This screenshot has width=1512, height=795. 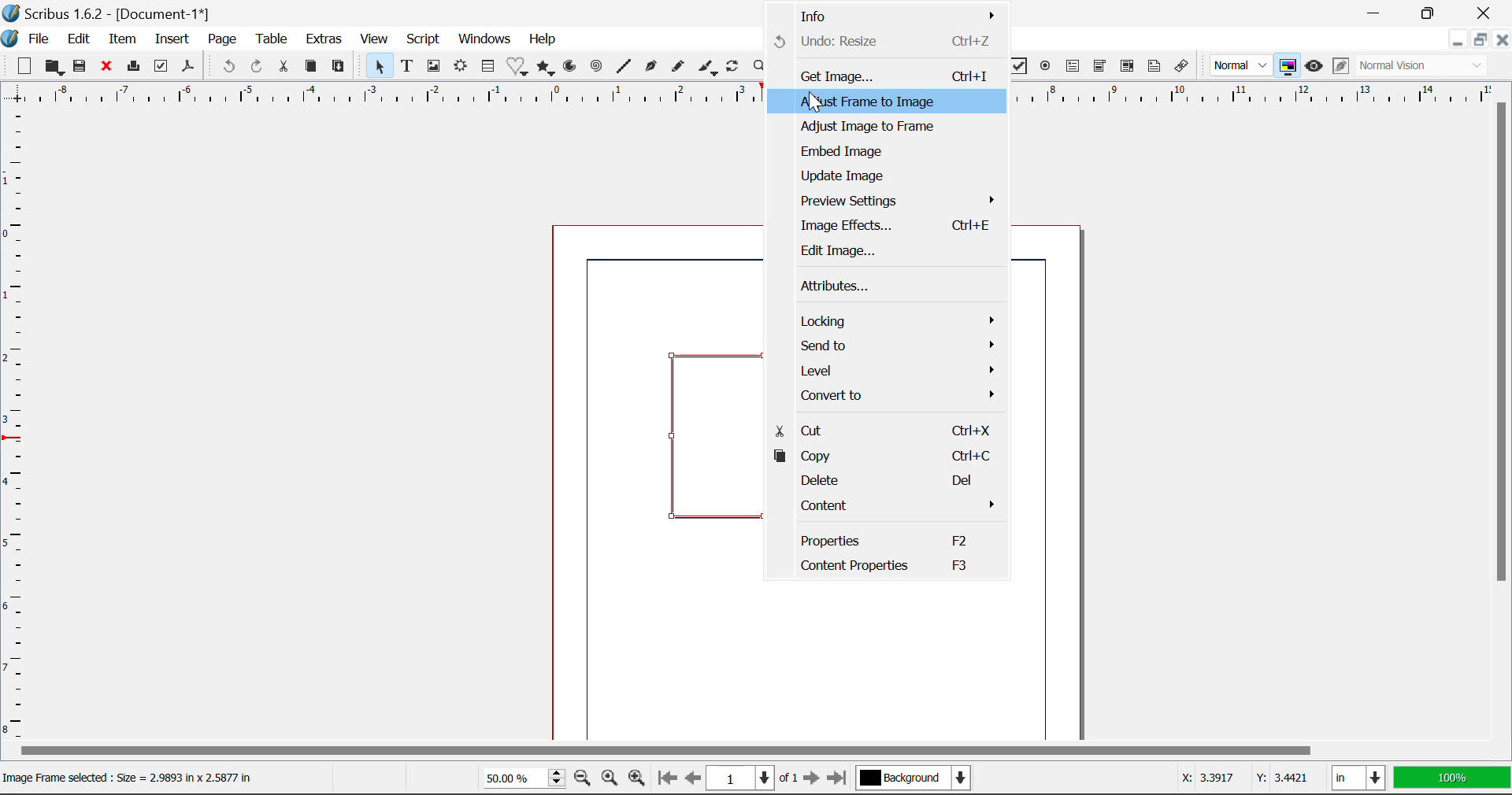 What do you see at coordinates (542, 41) in the screenshot?
I see `Help` at bounding box center [542, 41].